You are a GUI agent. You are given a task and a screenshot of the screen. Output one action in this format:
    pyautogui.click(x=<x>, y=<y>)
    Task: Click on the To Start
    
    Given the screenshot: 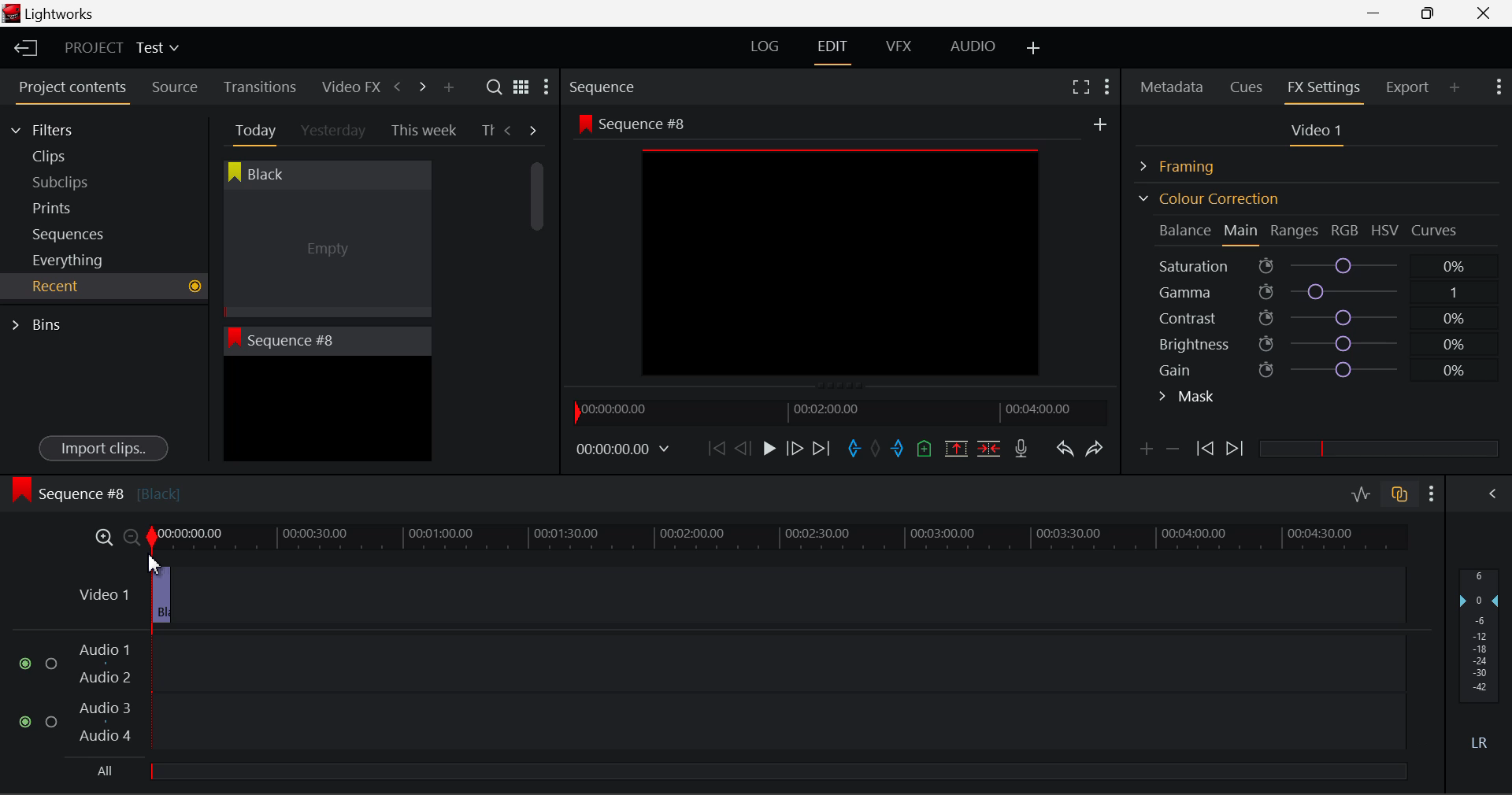 What is the action you would take?
    pyautogui.click(x=715, y=448)
    